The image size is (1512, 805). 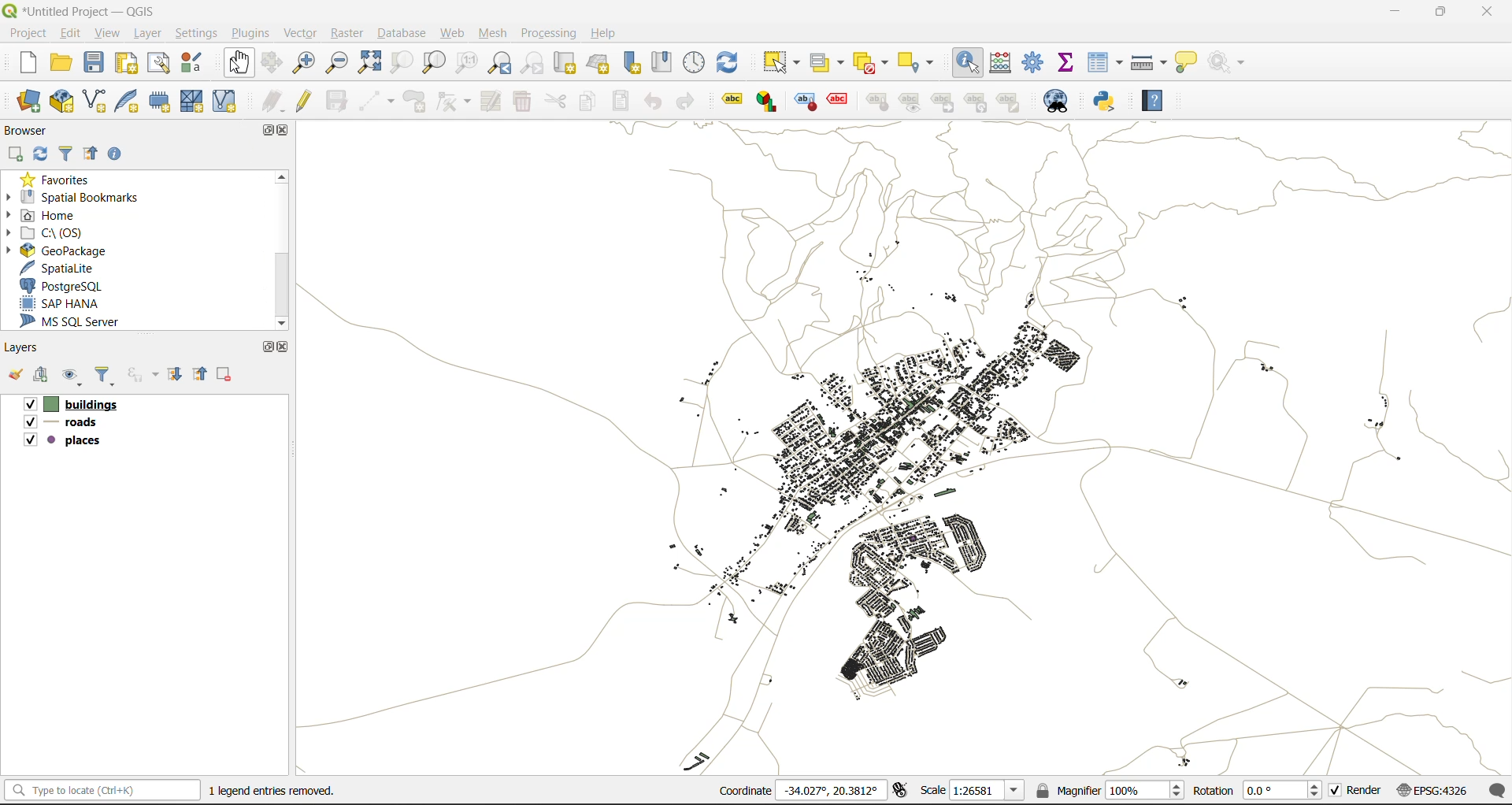 What do you see at coordinates (499, 65) in the screenshot?
I see `zoom last` at bounding box center [499, 65].